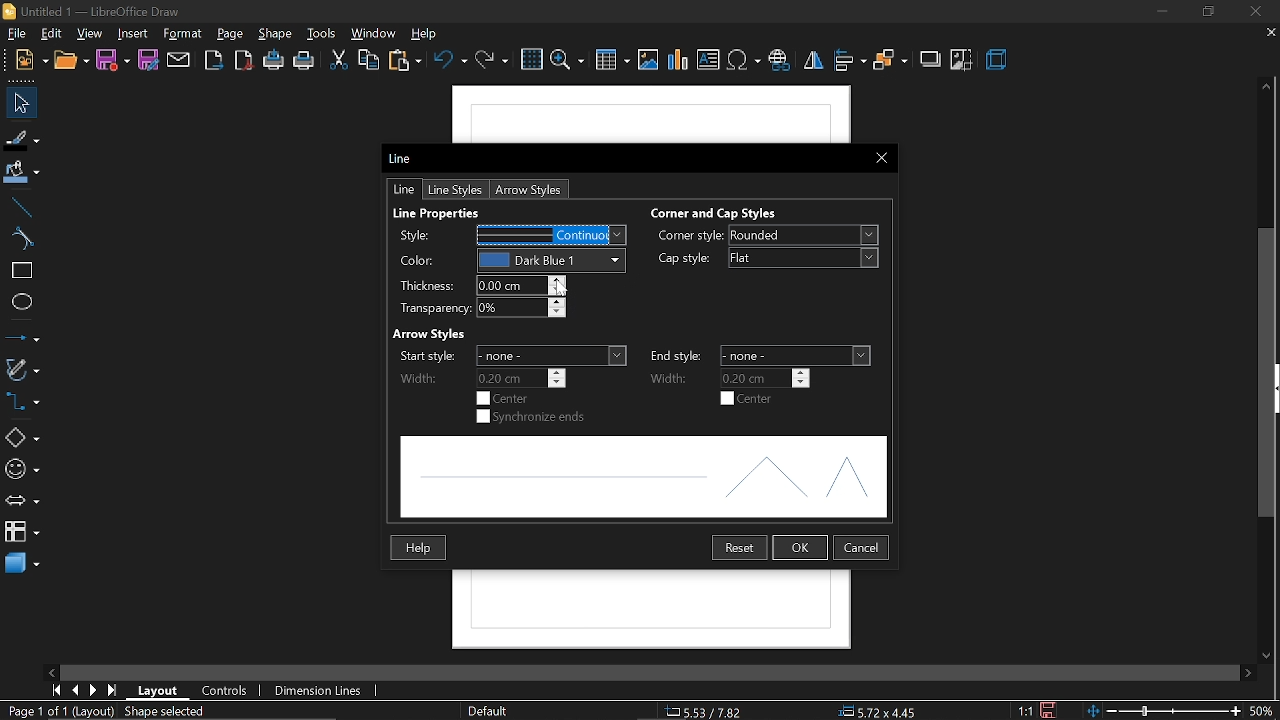 The height and width of the screenshot is (720, 1280). Describe the element at coordinates (93, 691) in the screenshot. I see `next page` at that location.